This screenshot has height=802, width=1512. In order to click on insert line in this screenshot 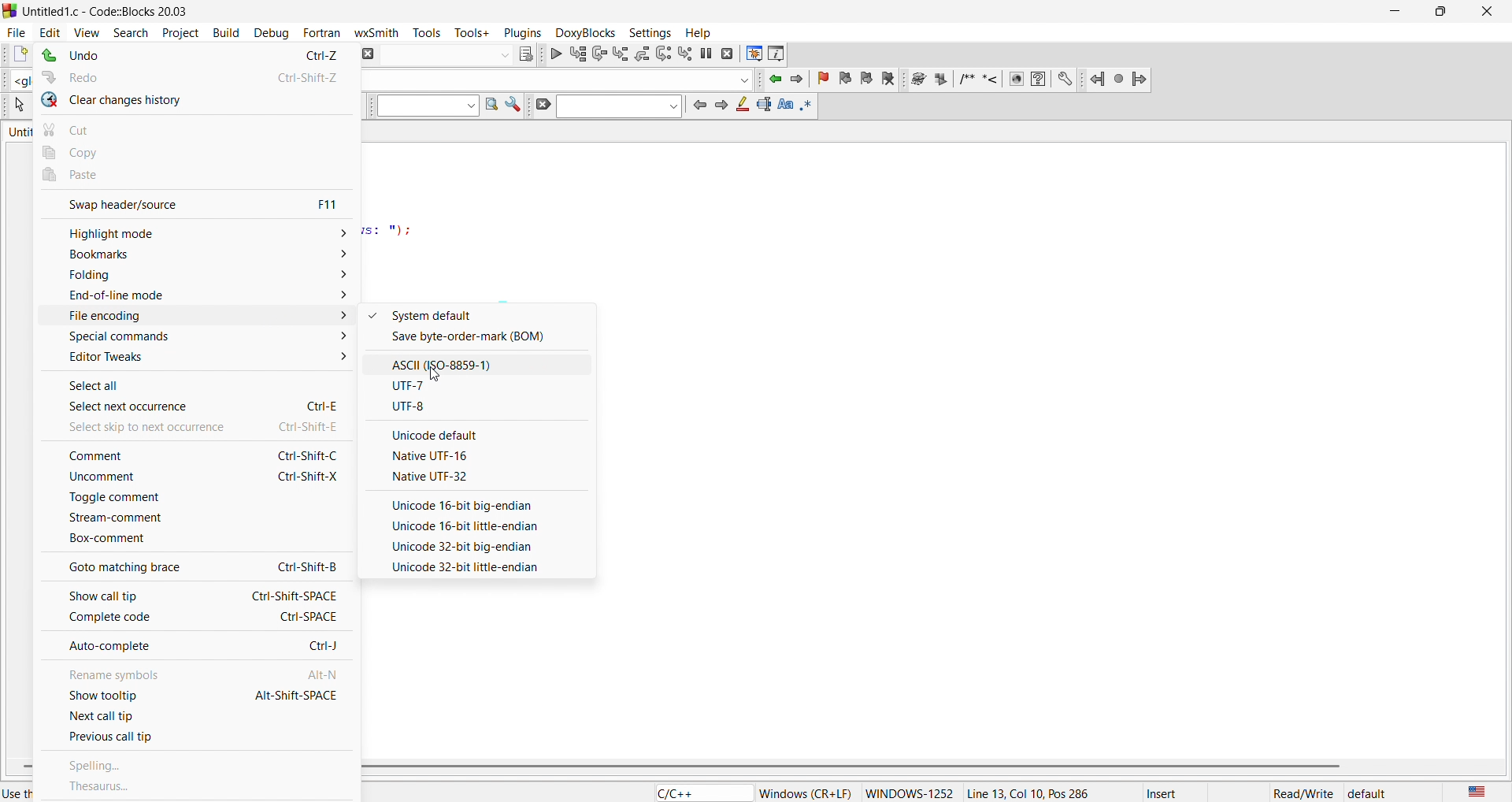, I will do `click(990, 81)`.